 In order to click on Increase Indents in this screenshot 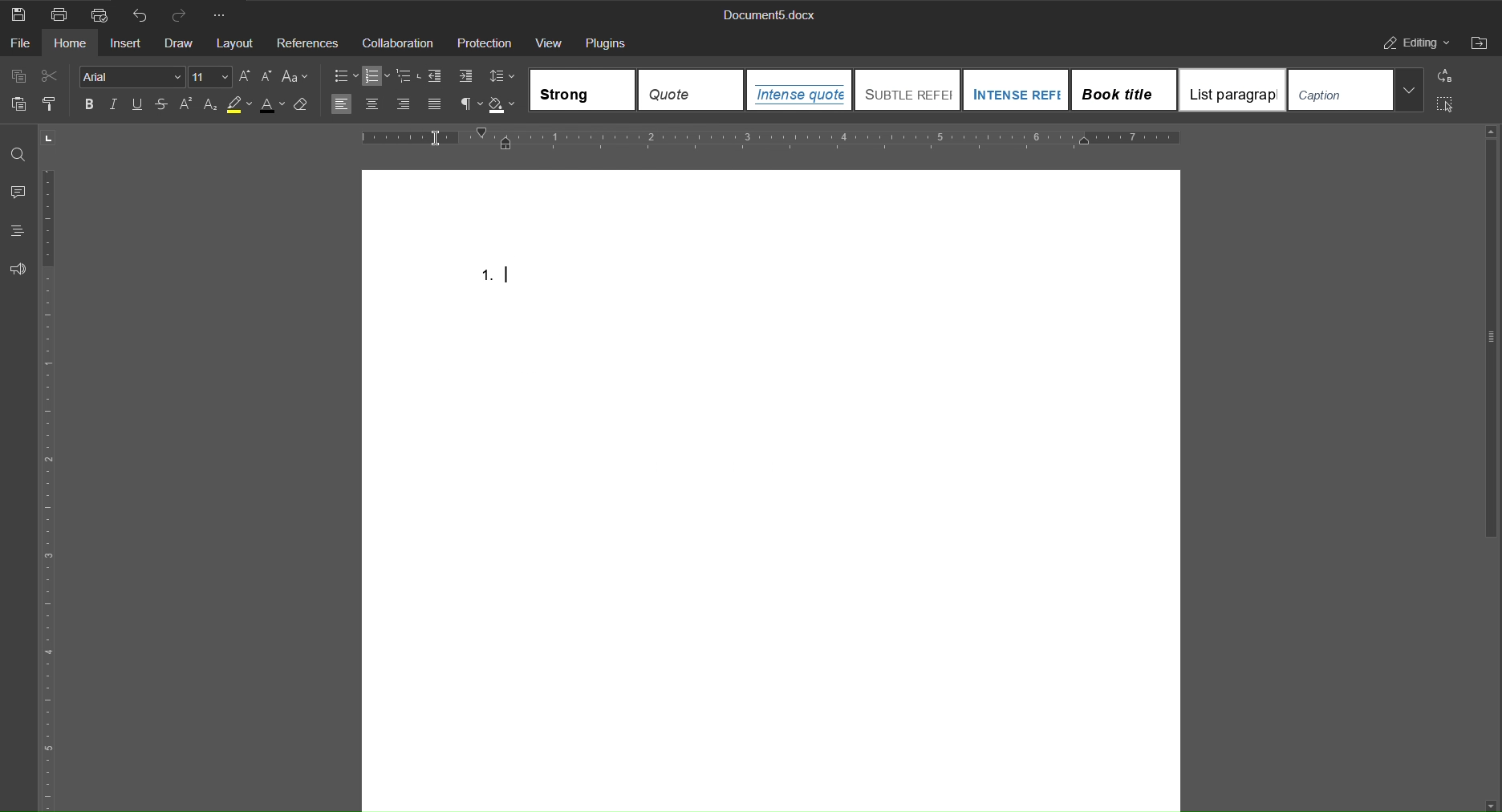, I will do `click(466, 76)`.